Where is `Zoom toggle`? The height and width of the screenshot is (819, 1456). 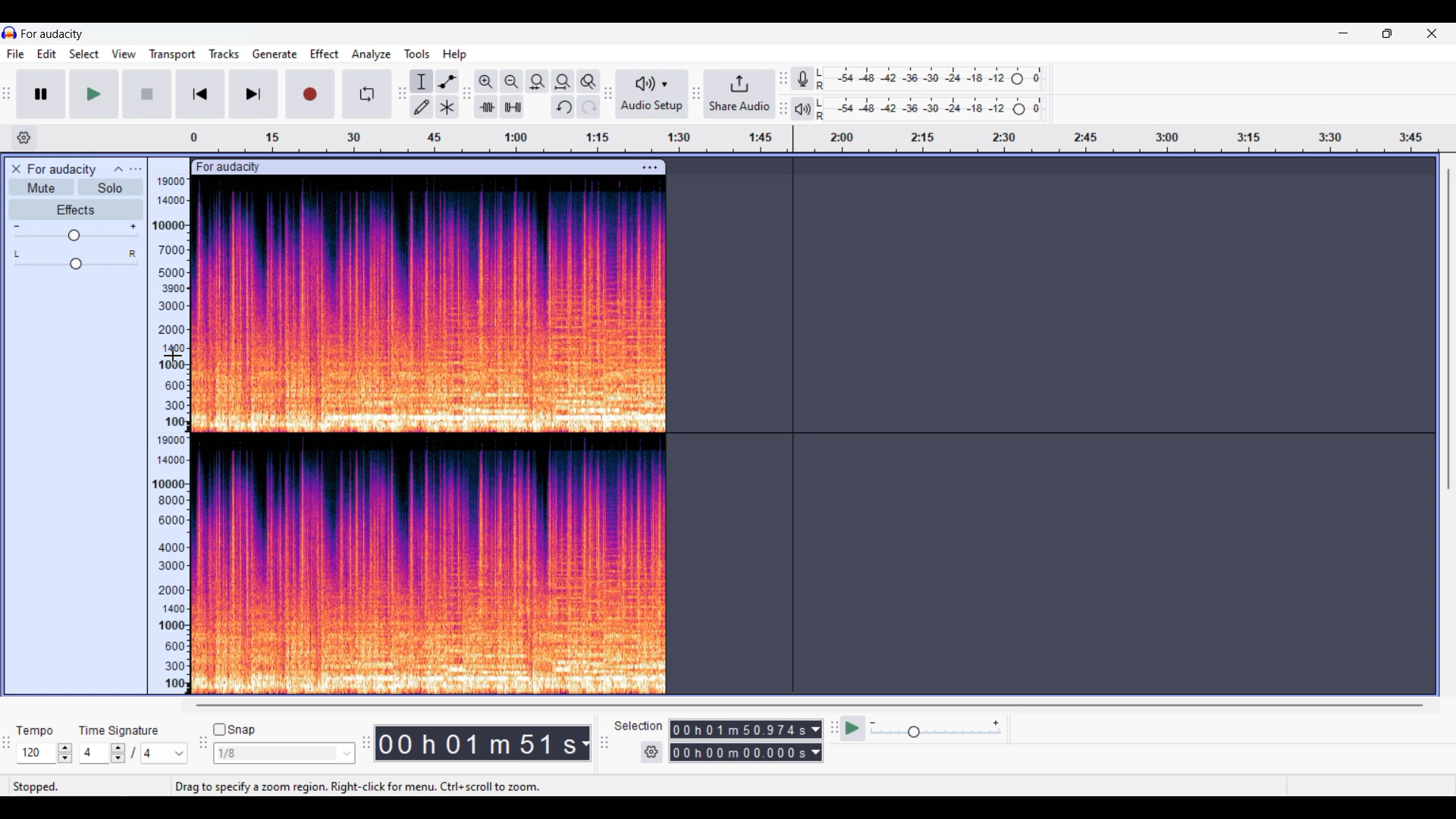
Zoom toggle is located at coordinates (588, 82).